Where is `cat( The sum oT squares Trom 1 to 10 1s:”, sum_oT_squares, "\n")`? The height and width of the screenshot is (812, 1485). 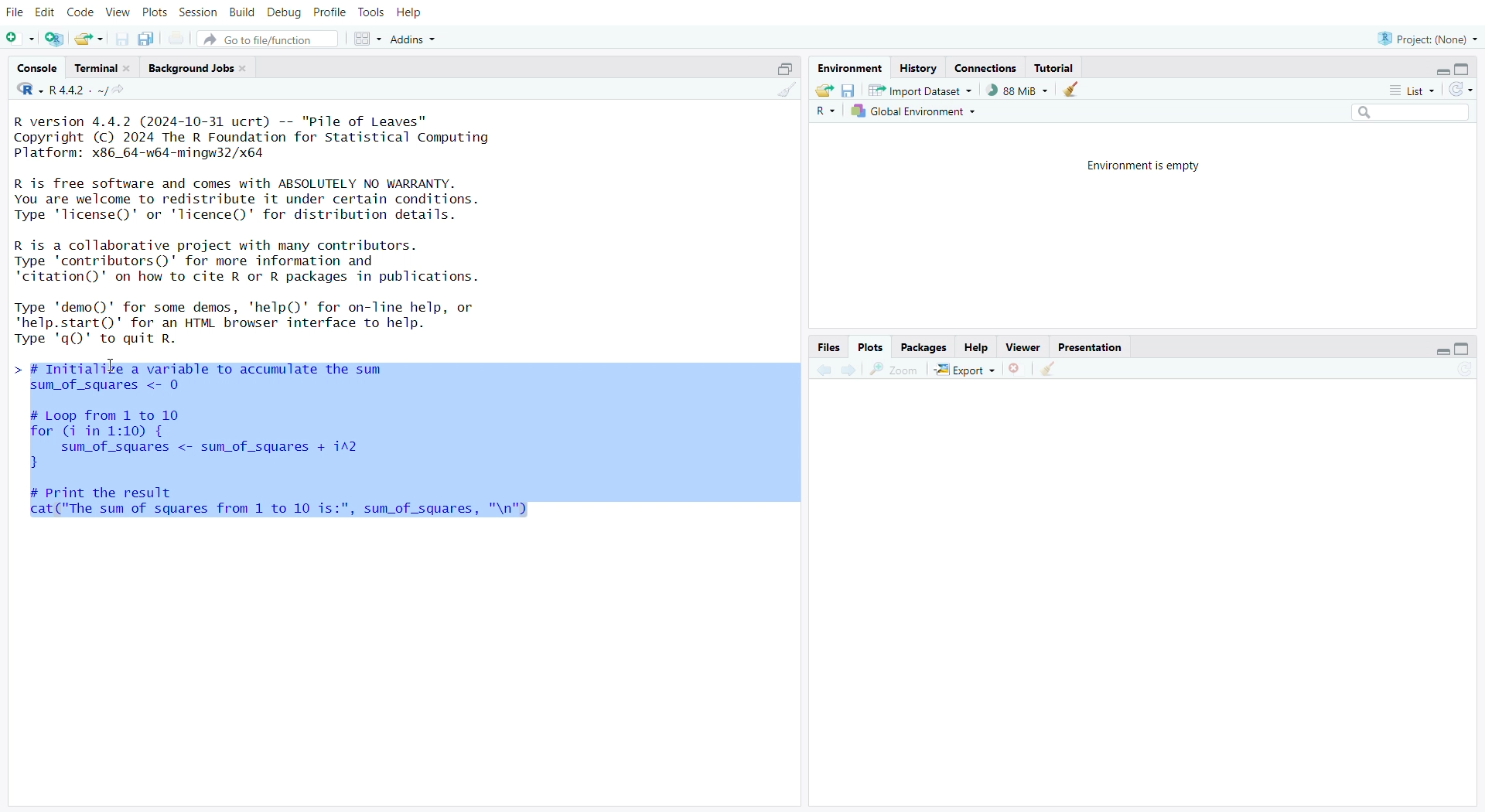
cat( The sum oT squares Trom 1 to 10 1s:”, sum_oT_squares, "\n") is located at coordinates (295, 510).